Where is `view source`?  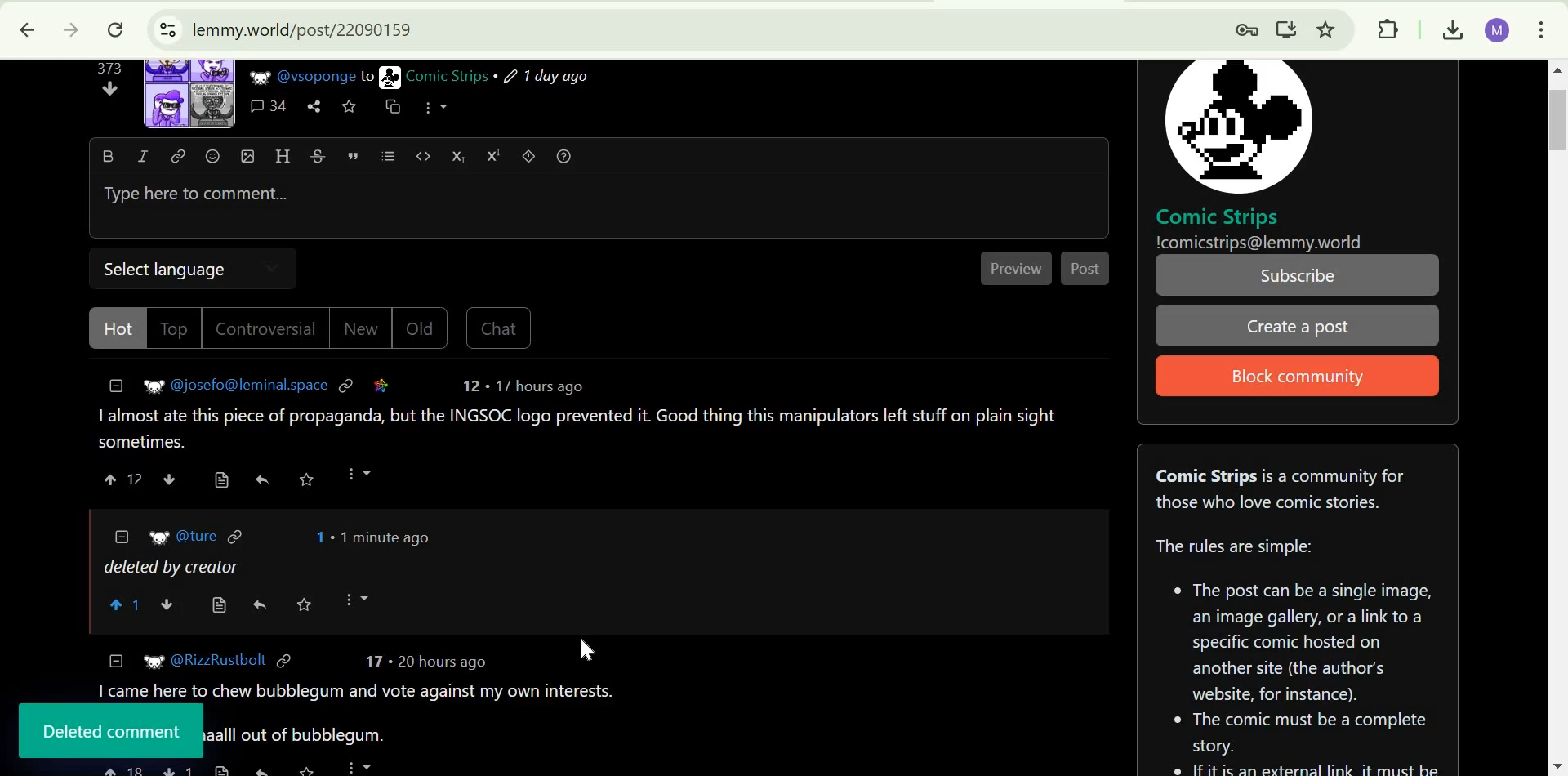
view source is located at coordinates (222, 479).